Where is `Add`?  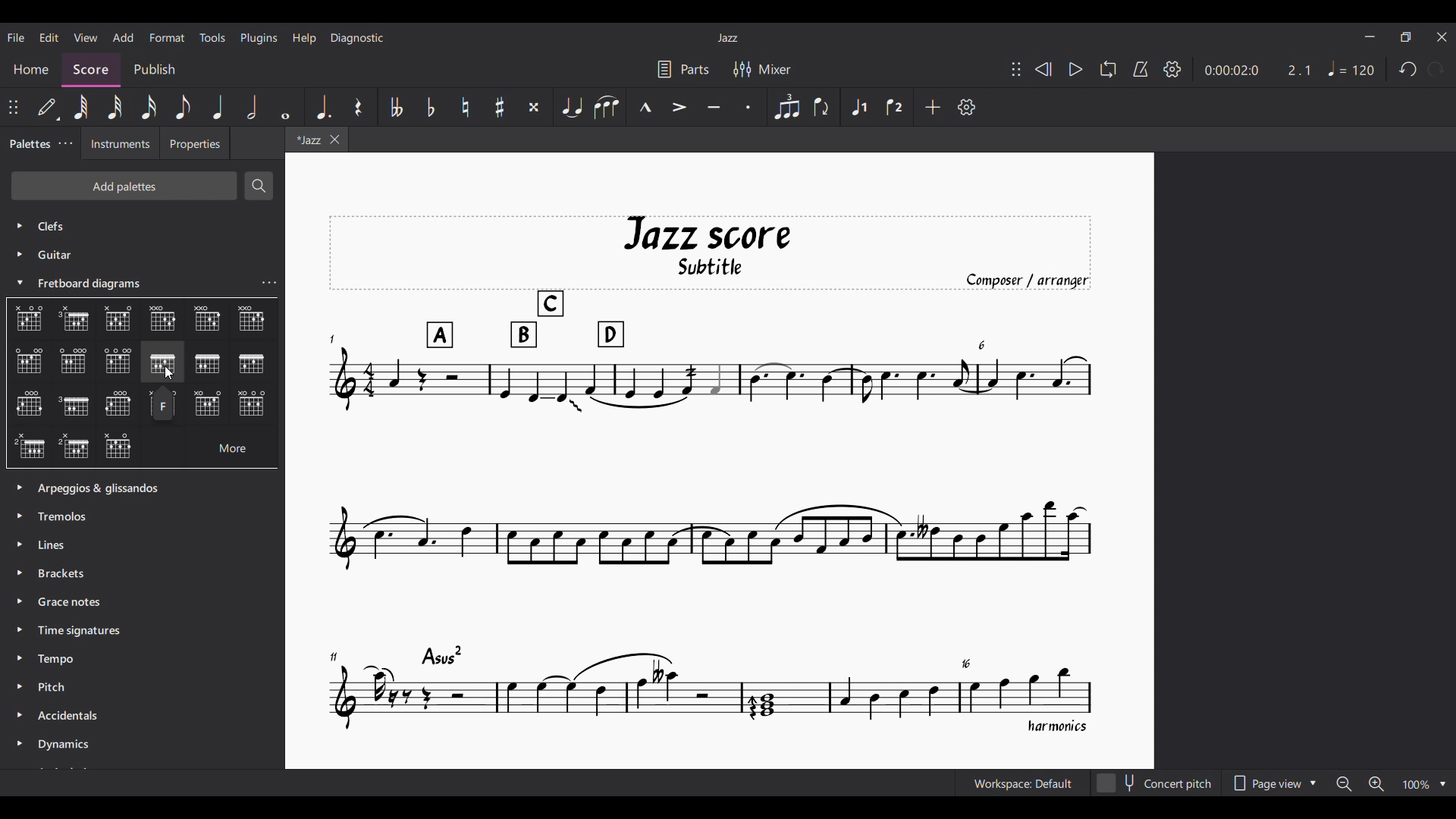 Add is located at coordinates (933, 107).